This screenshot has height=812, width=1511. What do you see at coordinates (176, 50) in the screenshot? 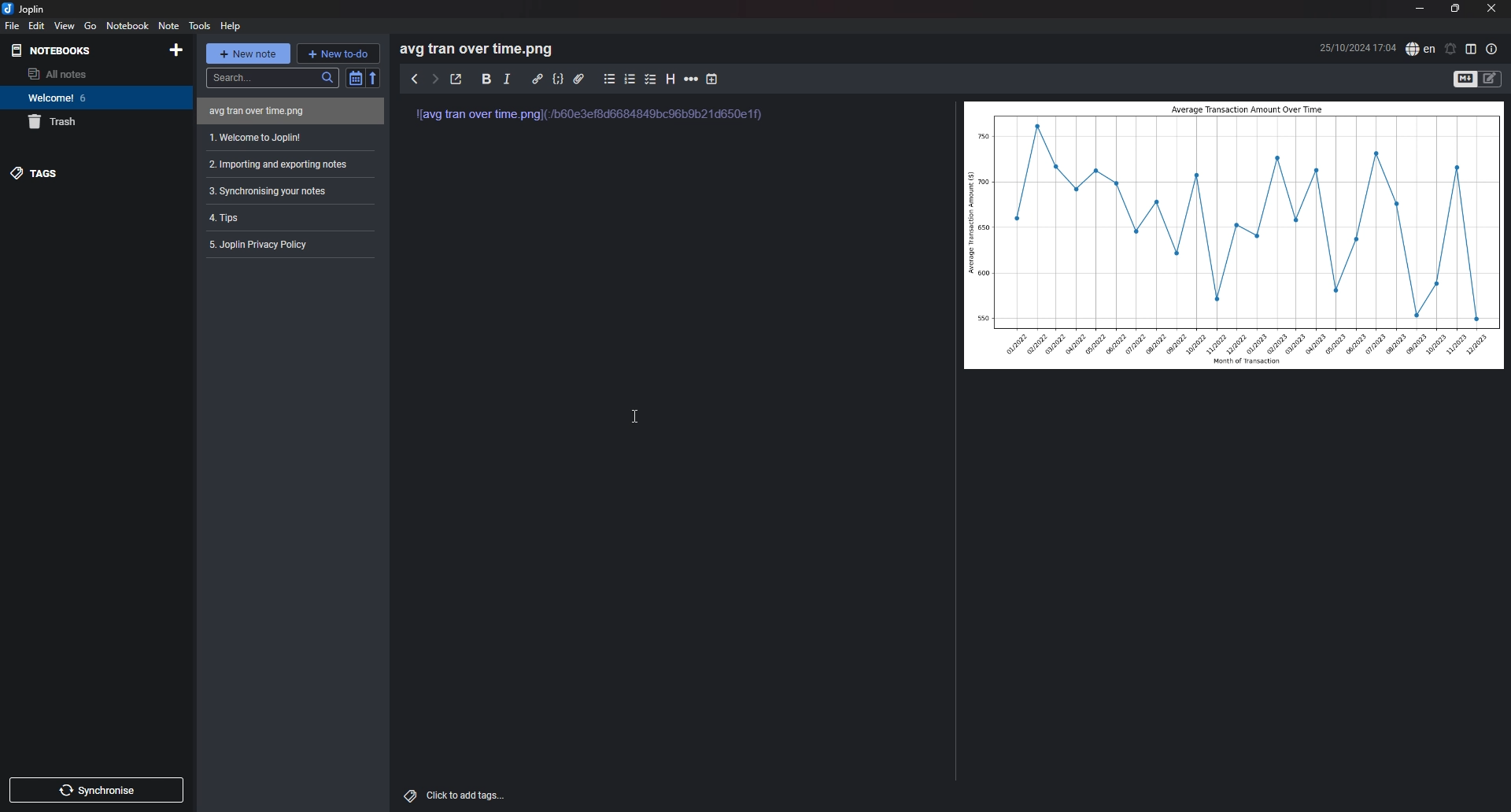
I see `add notebook` at bounding box center [176, 50].